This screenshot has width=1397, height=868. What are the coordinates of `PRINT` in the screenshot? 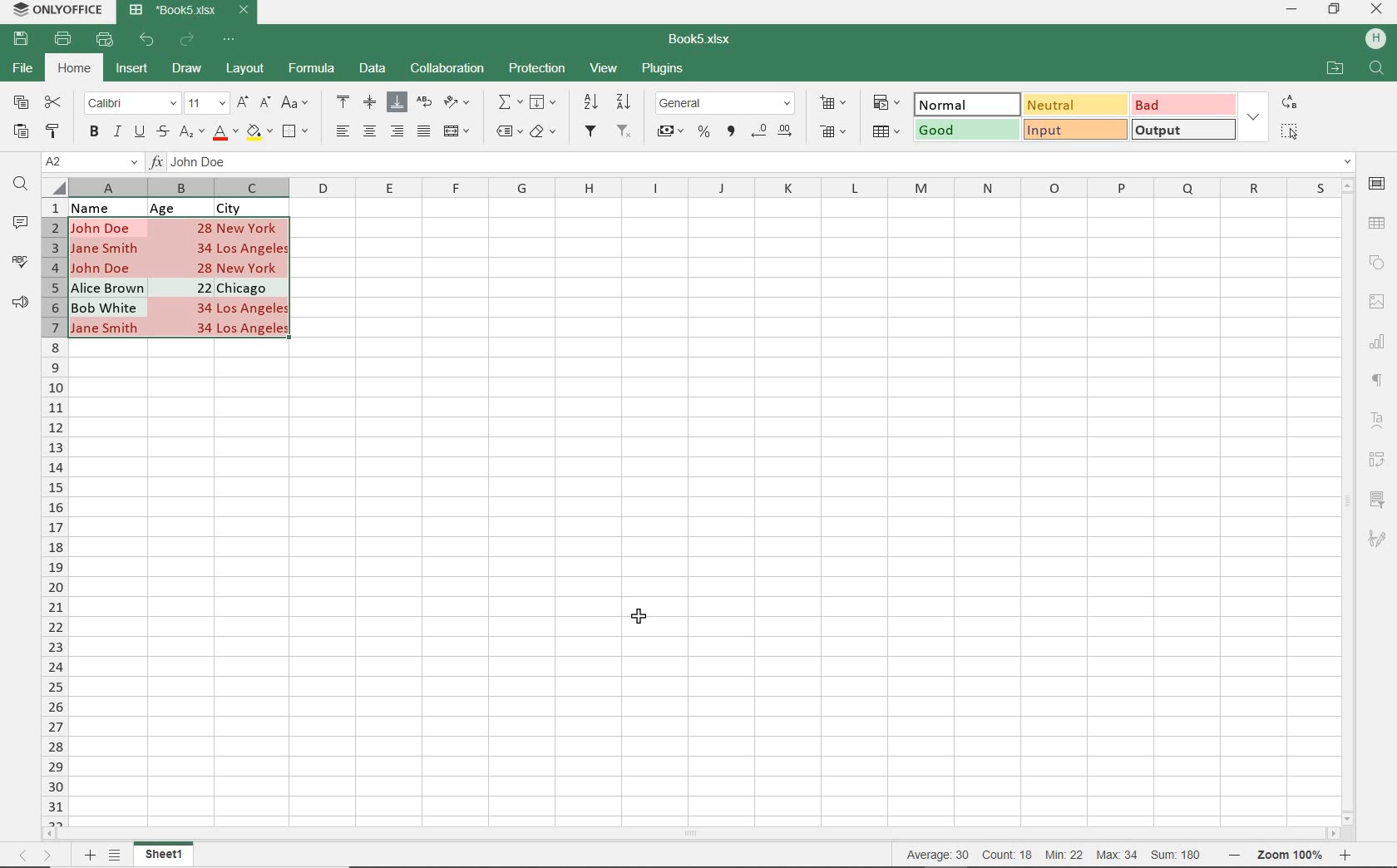 It's located at (63, 38).